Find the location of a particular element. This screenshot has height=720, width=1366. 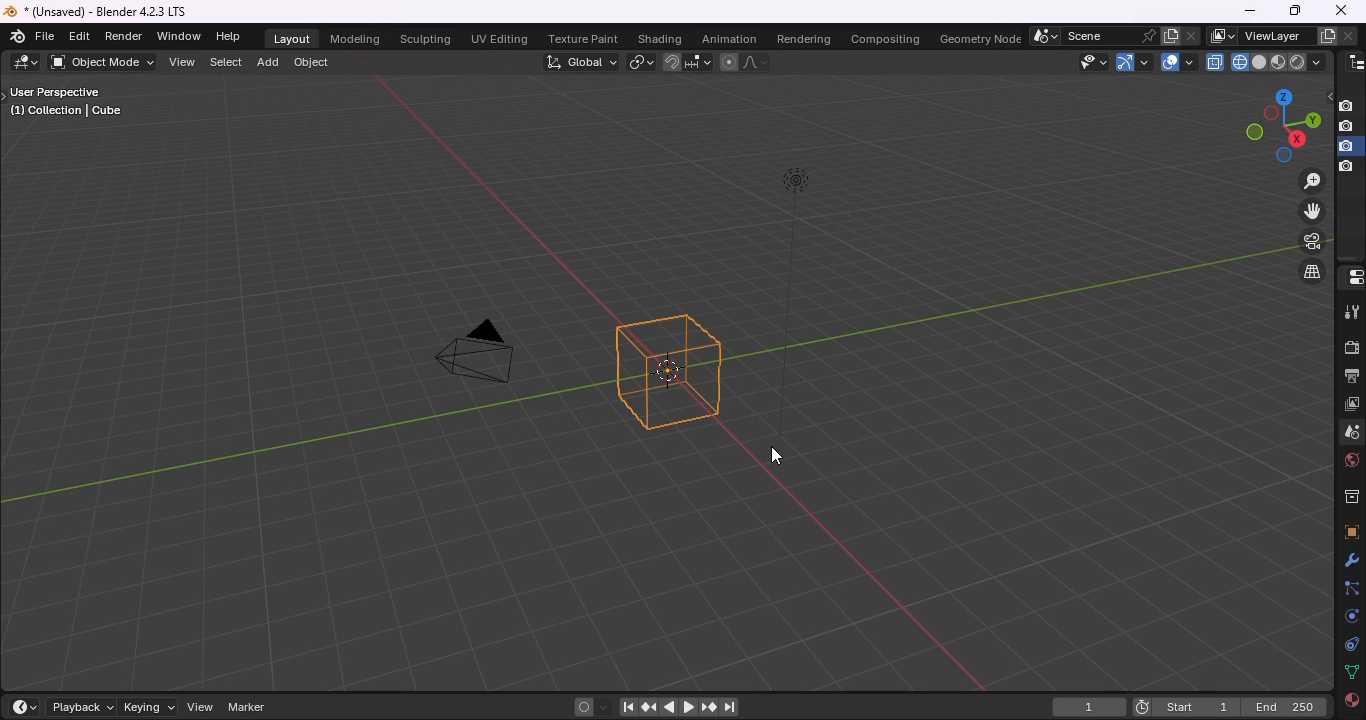

default cube is located at coordinates (668, 373).